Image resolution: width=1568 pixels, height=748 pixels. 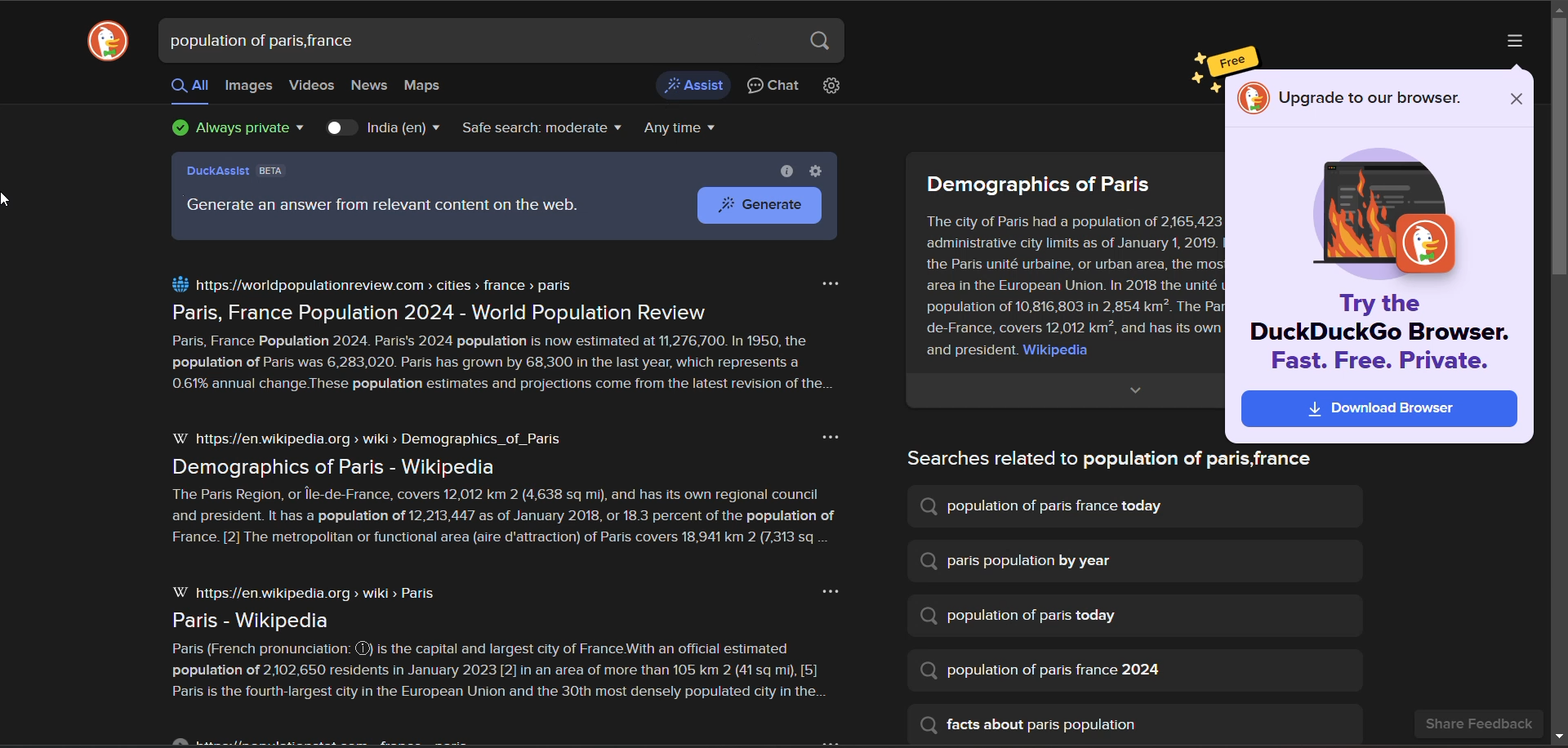 I want to click on options, so click(x=831, y=439).